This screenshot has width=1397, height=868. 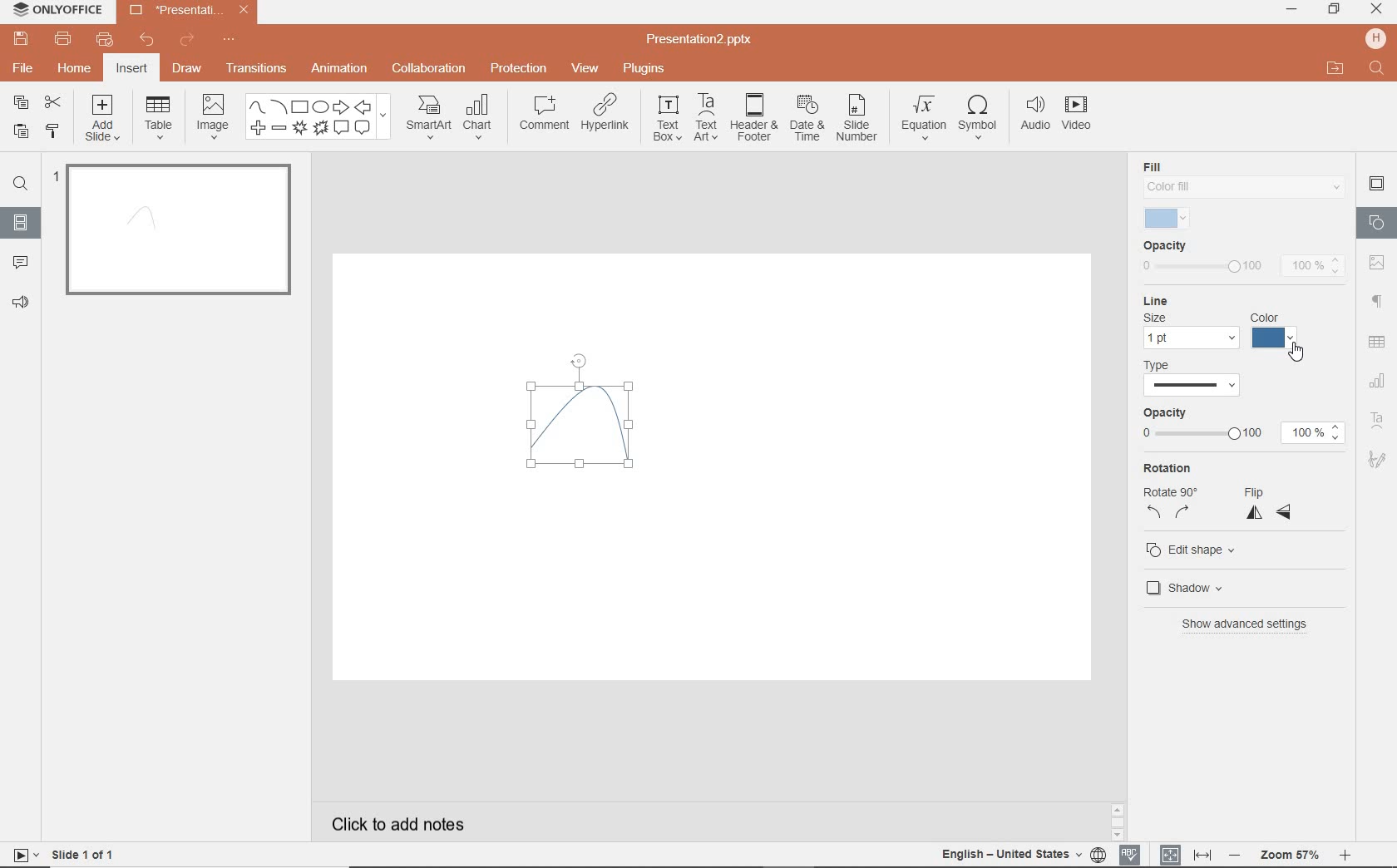 What do you see at coordinates (585, 67) in the screenshot?
I see `VIEW` at bounding box center [585, 67].